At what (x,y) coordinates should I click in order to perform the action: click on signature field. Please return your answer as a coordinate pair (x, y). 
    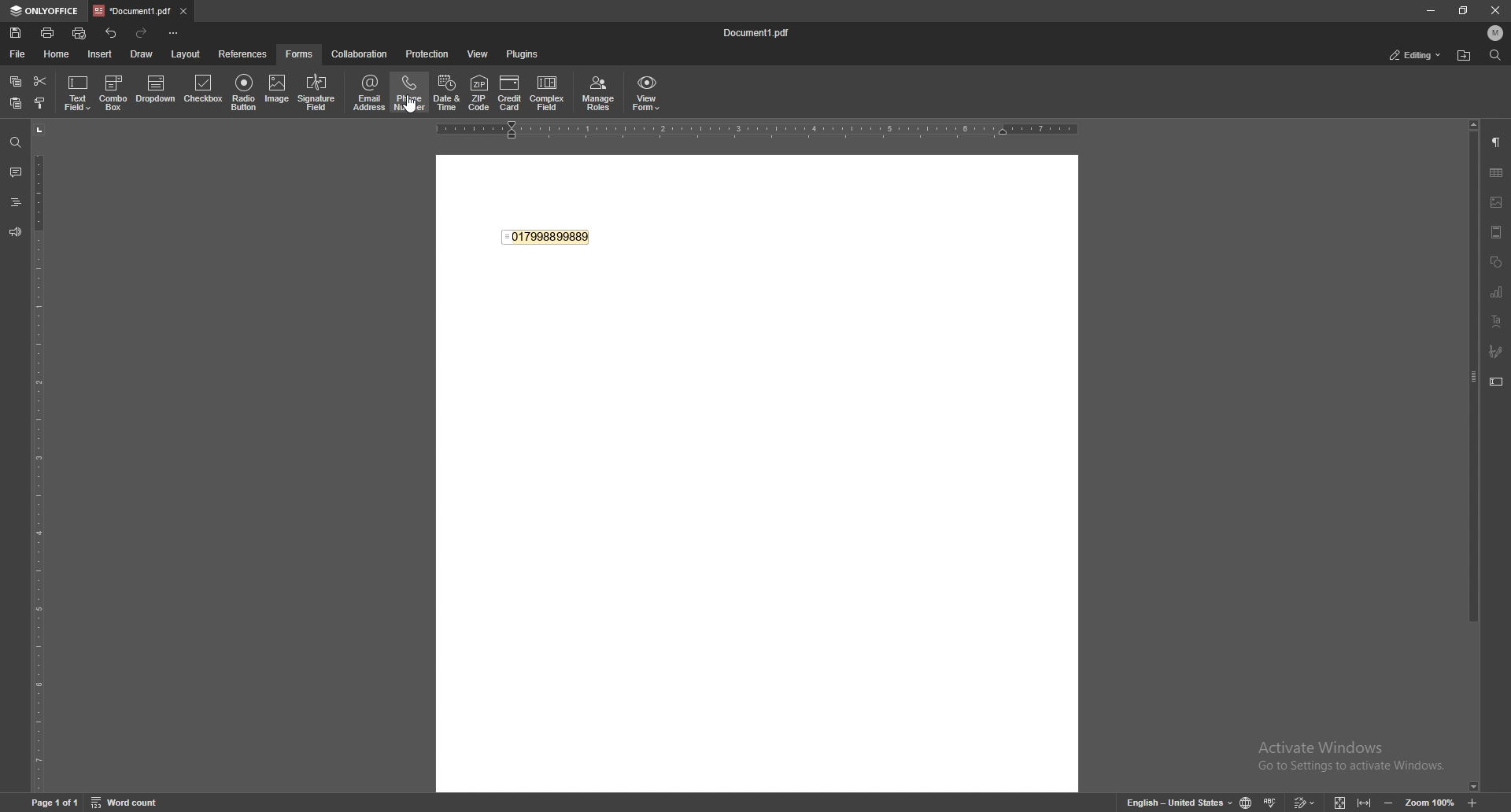
    Looking at the image, I should click on (317, 94).